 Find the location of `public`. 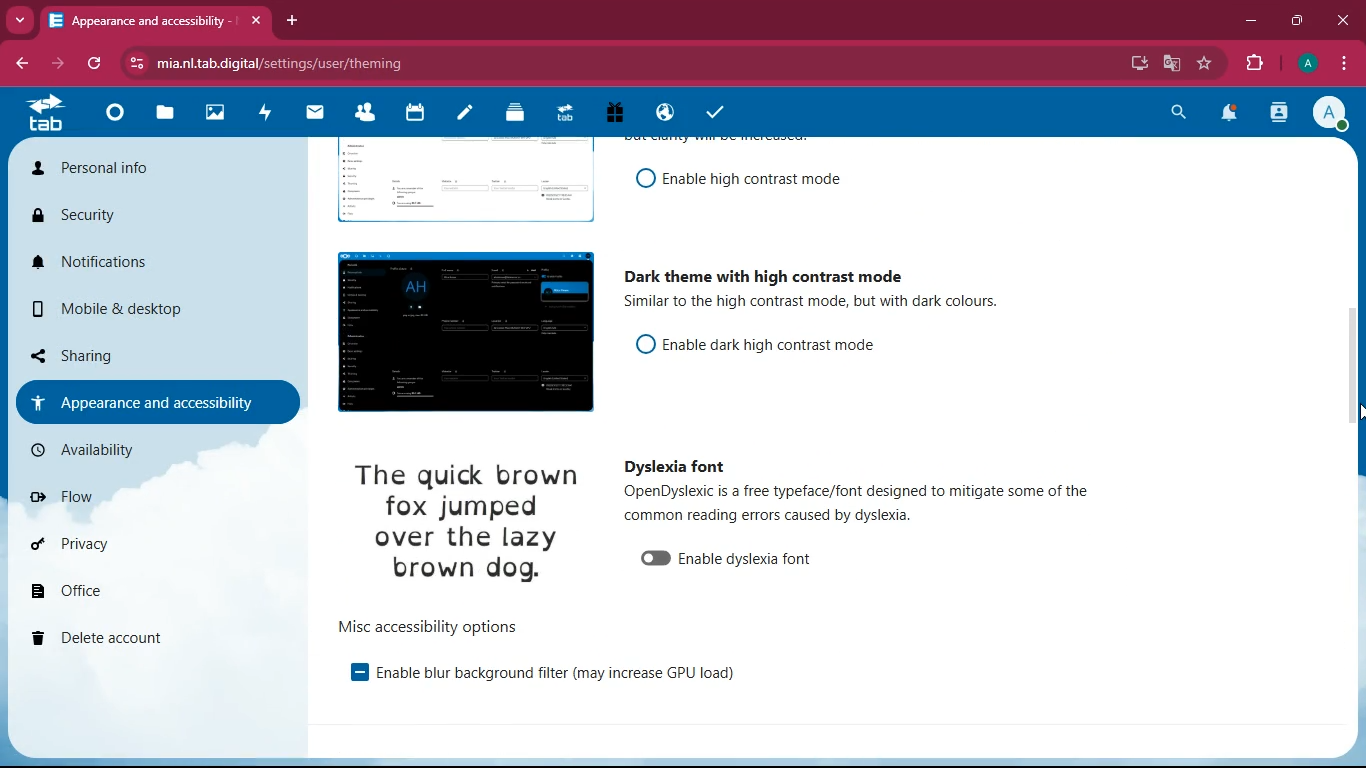

public is located at coordinates (668, 114).